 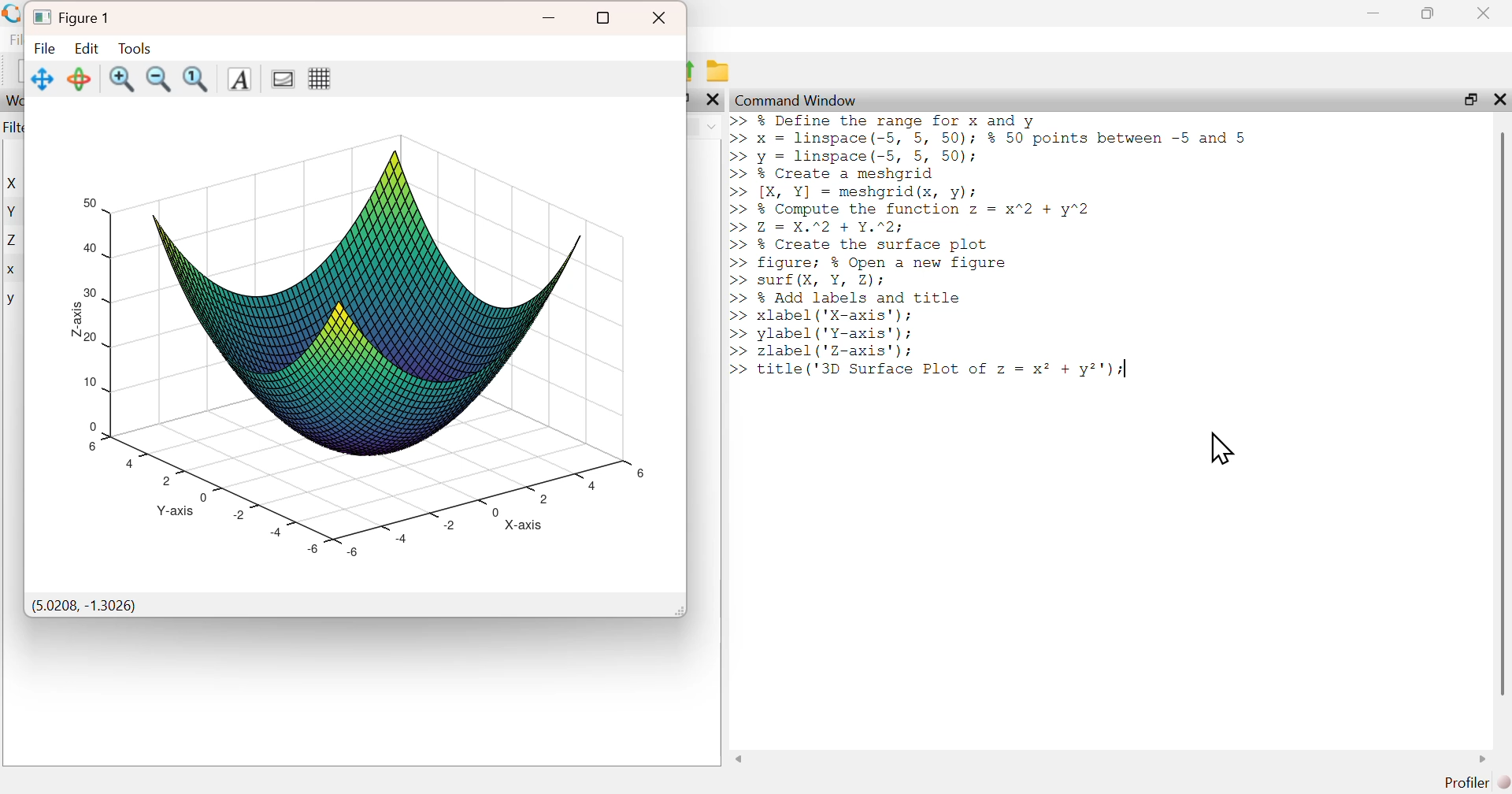 I want to click on scroll bar, so click(x=1502, y=413).